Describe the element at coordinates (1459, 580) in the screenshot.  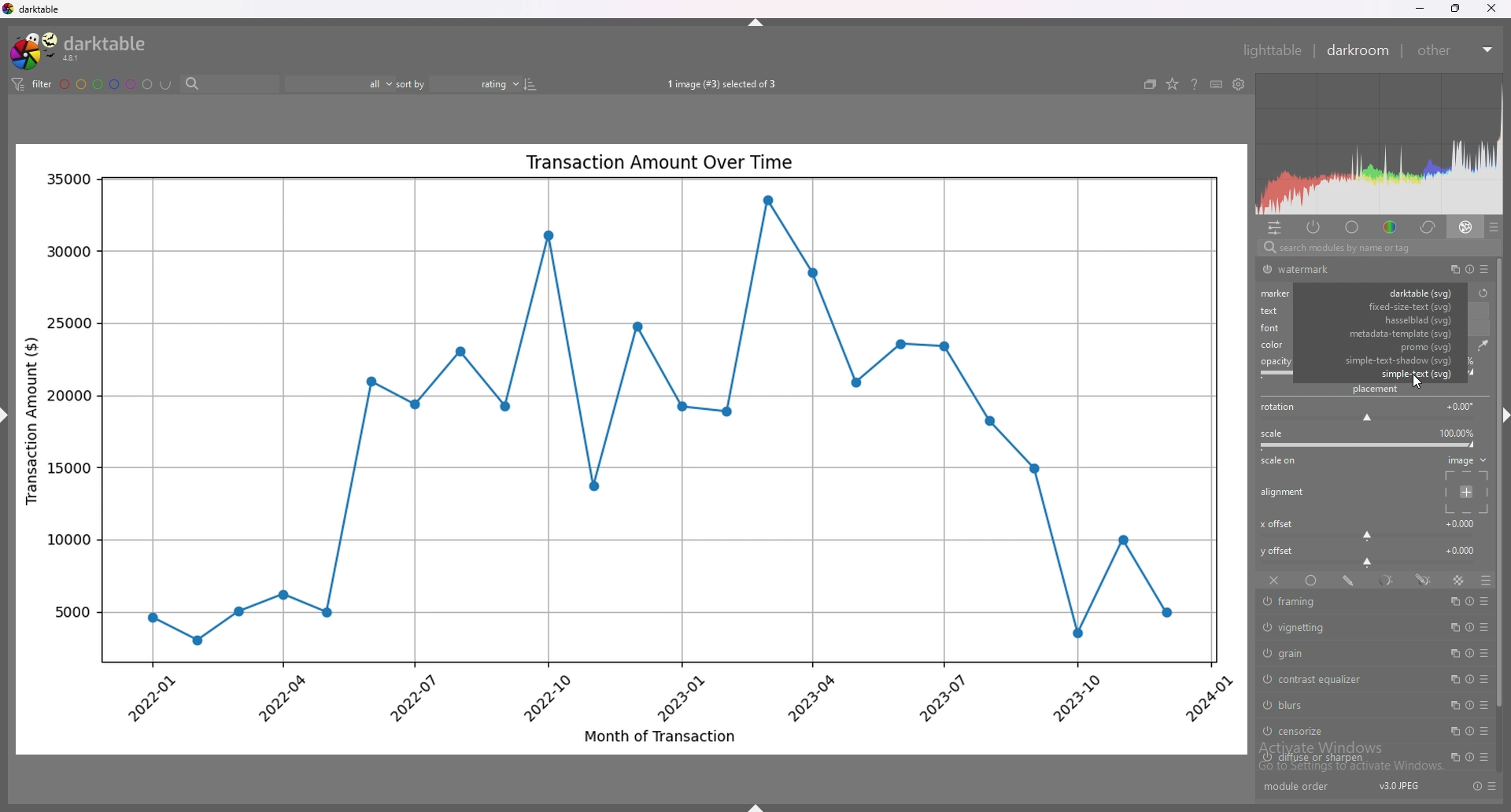
I see `raster mask` at that location.